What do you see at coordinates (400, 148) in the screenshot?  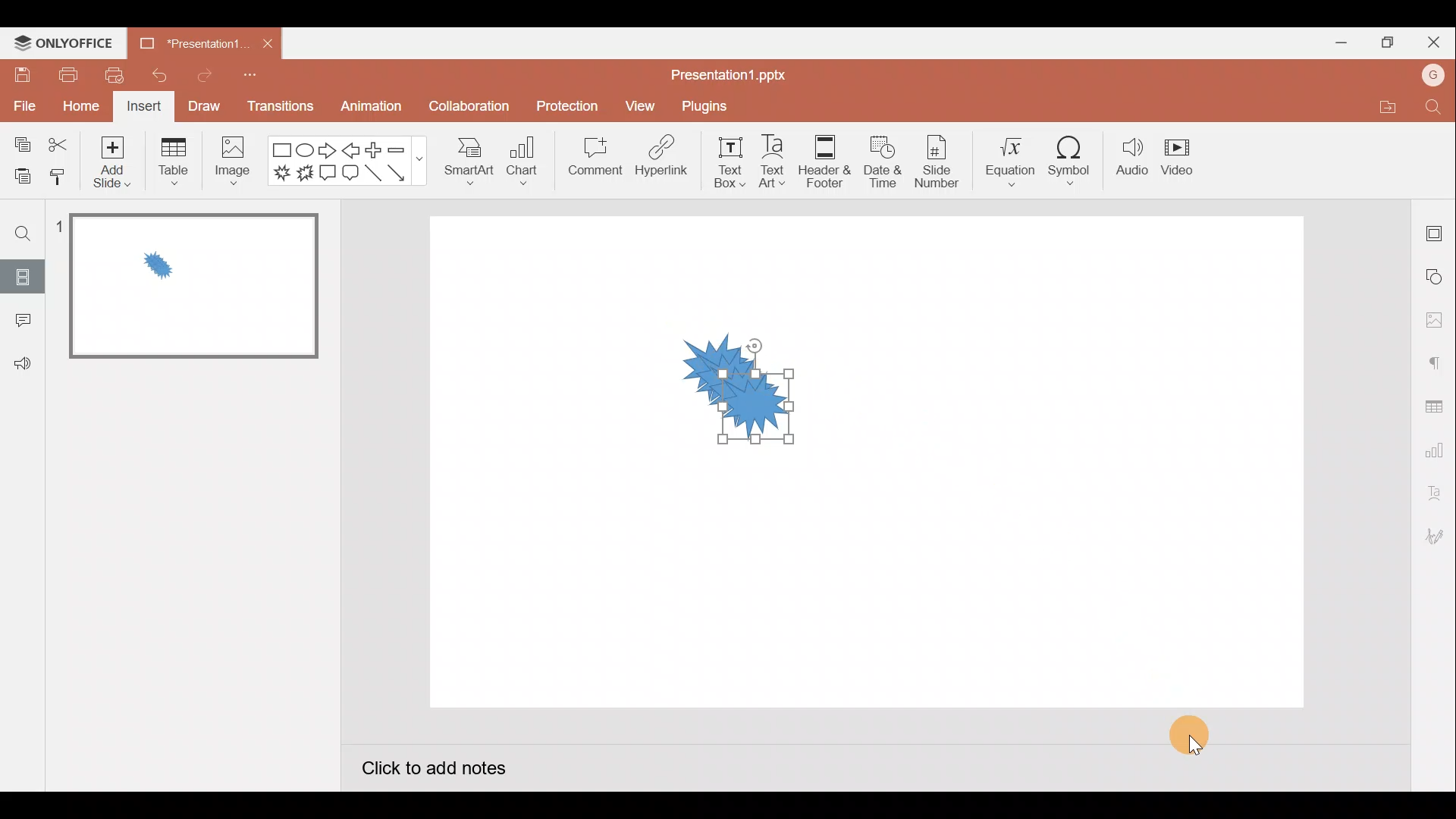 I see `Minus` at bounding box center [400, 148].